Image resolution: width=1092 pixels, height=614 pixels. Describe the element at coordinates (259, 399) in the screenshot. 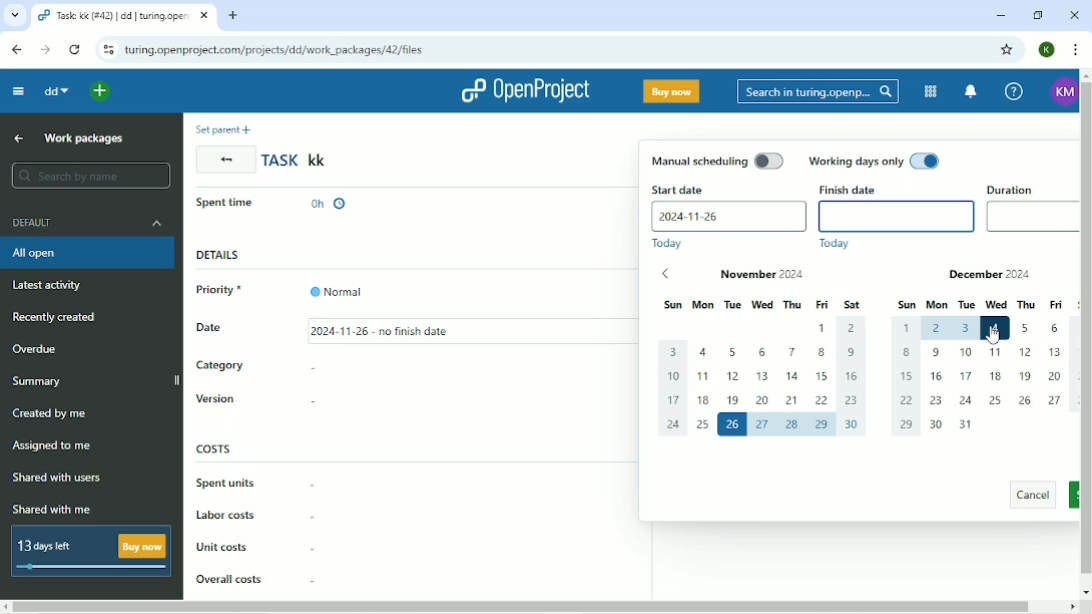

I see `Version` at that location.